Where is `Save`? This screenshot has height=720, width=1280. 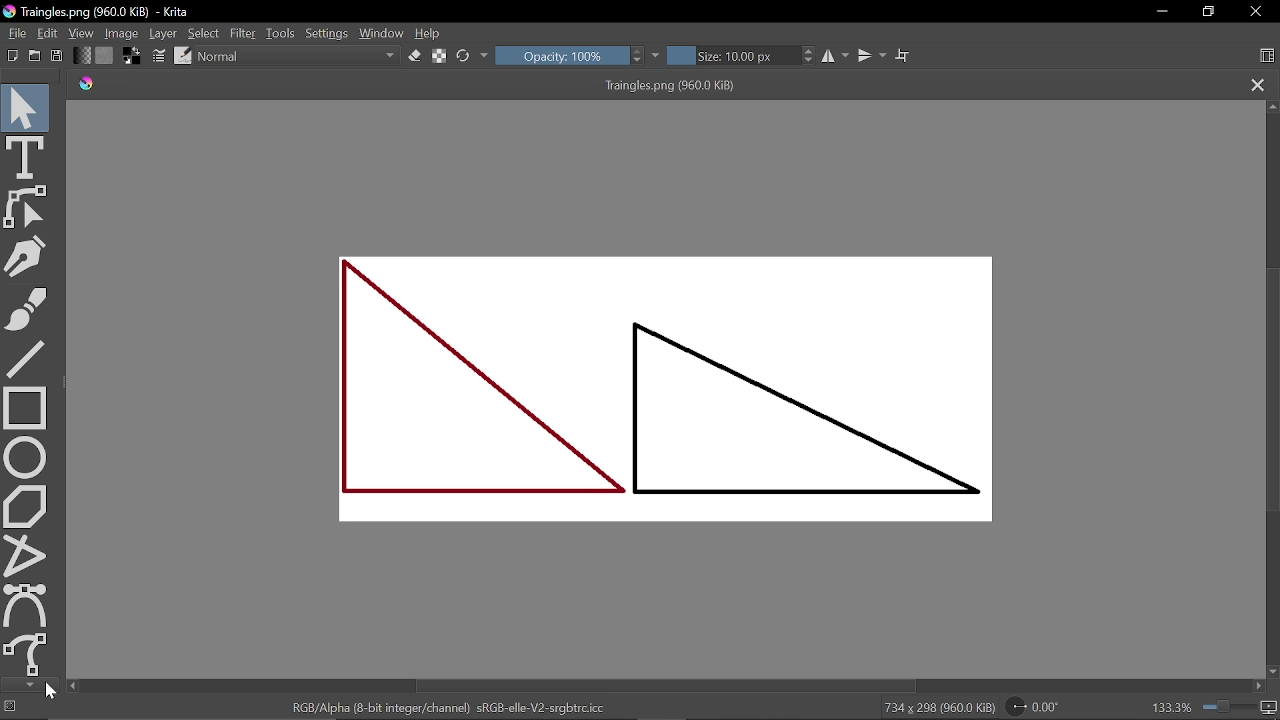 Save is located at coordinates (57, 56).